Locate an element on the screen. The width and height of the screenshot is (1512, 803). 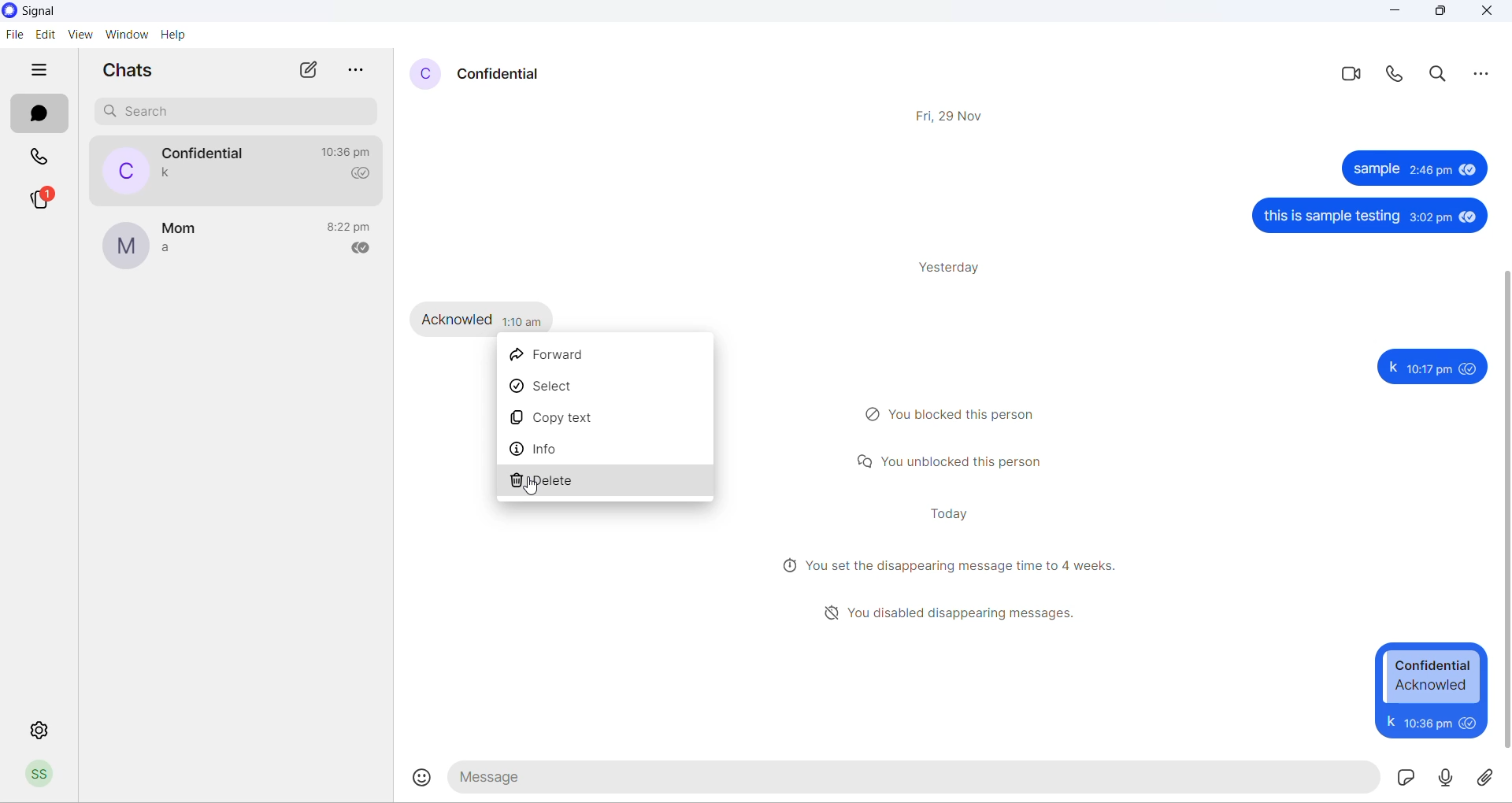
info is located at coordinates (604, 450).